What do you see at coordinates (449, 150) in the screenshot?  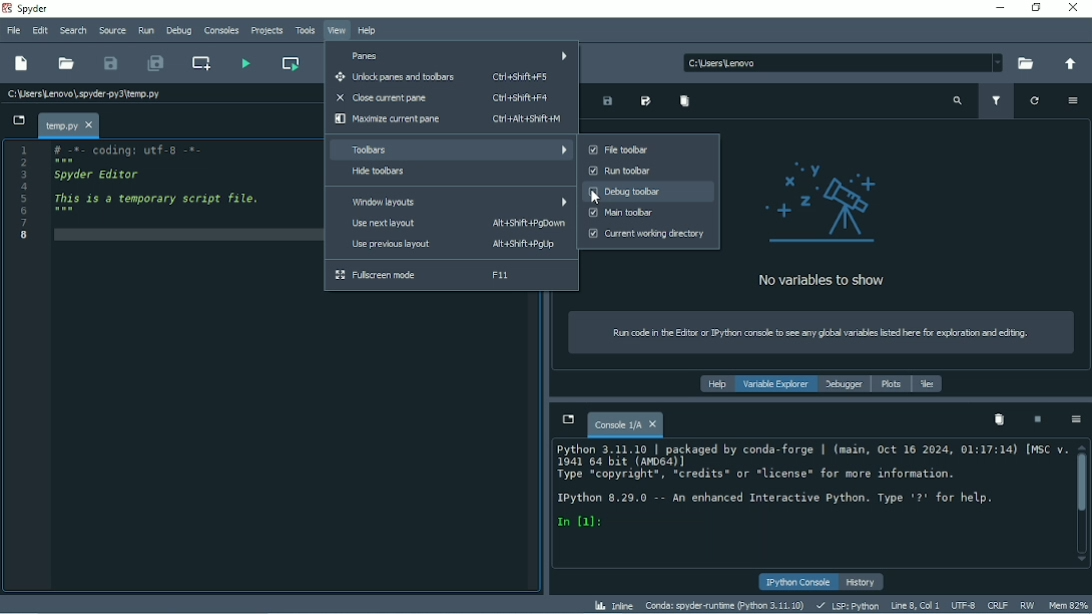 I see `Toolbars` at bounding box center [449, 150].